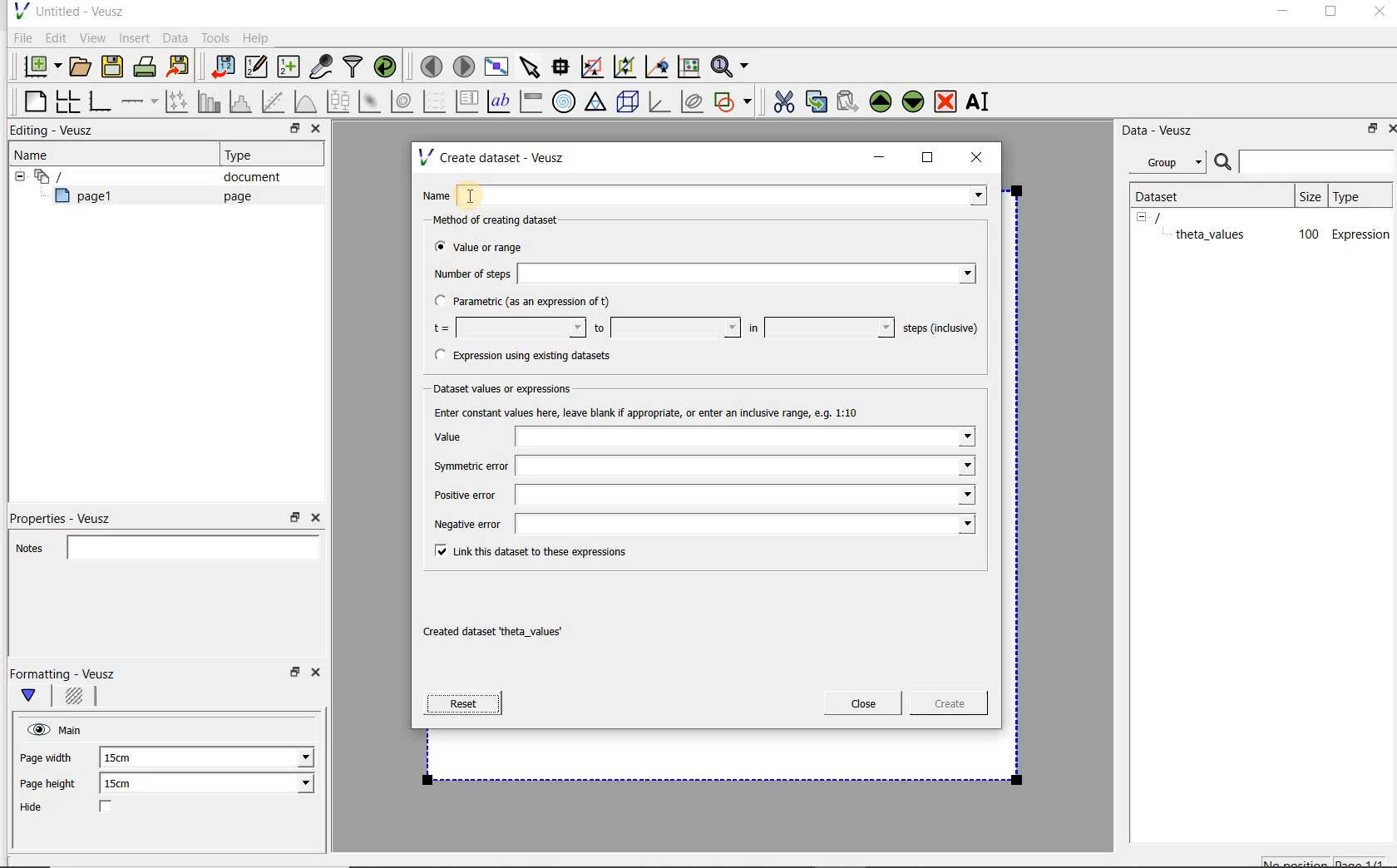 The width and height of the screenshot is (1397, 868). Describe the element at coordinates (506, 328) in the screenshot. I see `t= ` at that location.